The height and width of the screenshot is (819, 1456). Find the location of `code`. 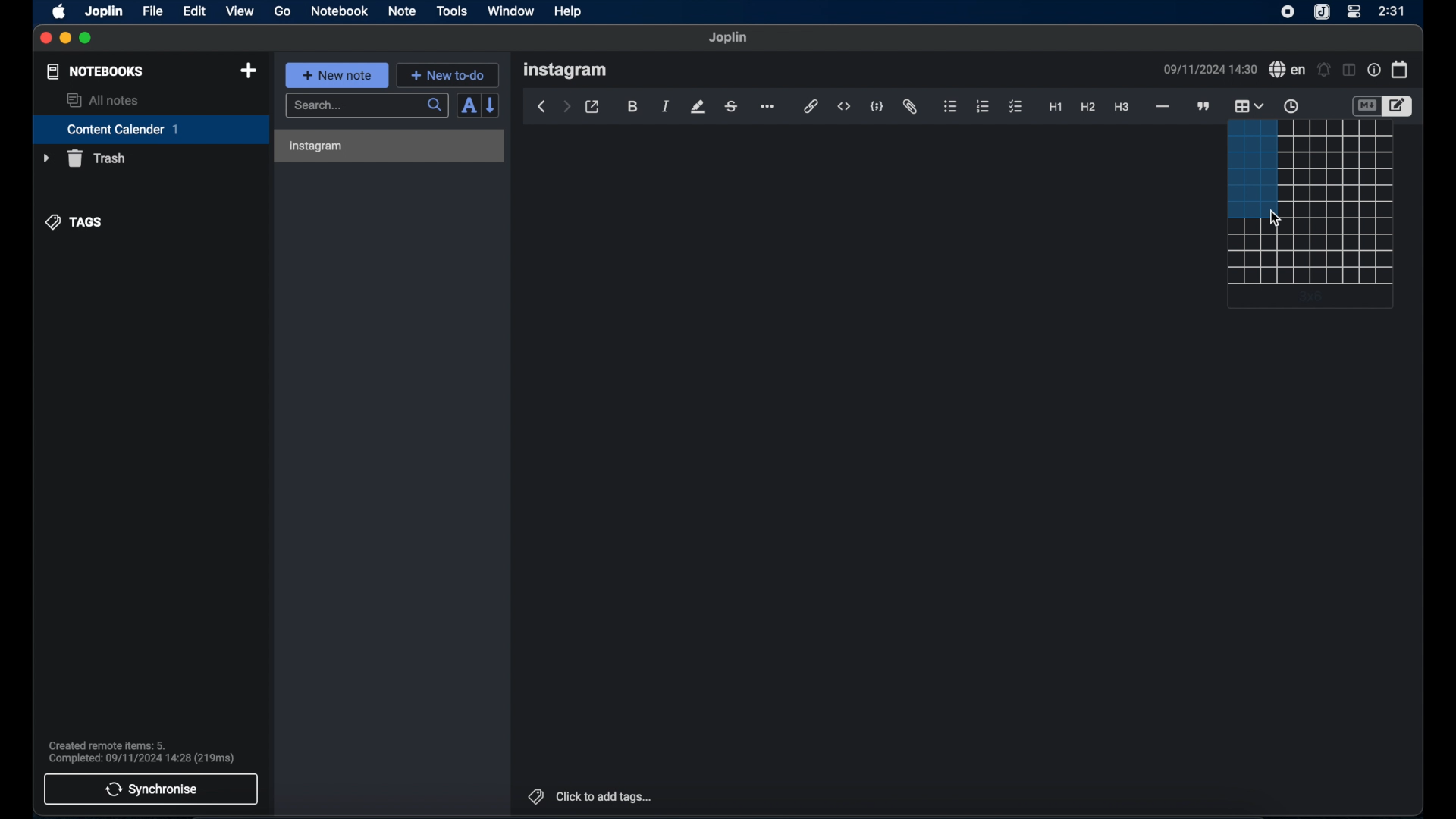

code is located at coordinates (876, 106).